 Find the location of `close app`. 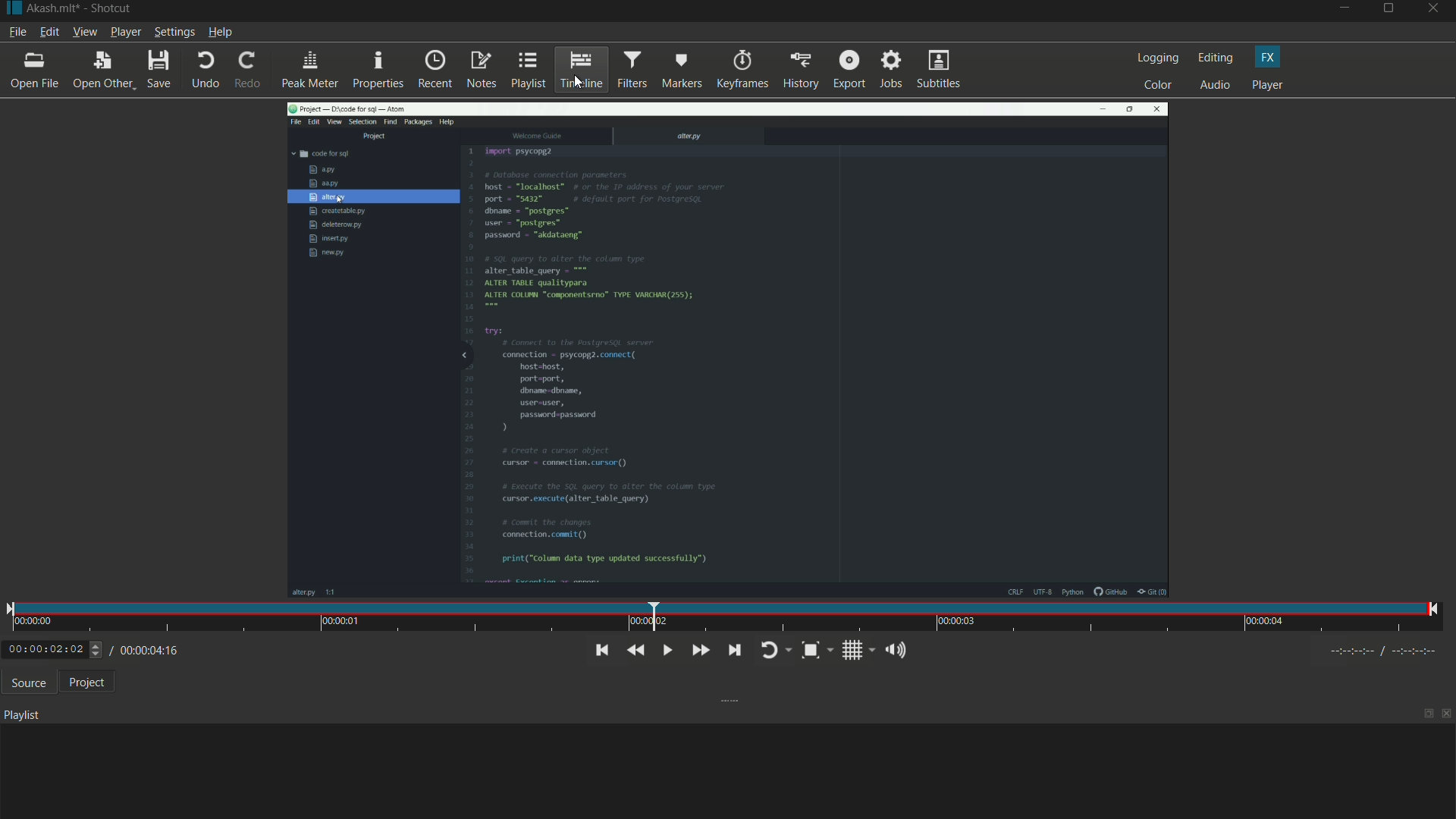

close app is located at coordinates (1436, 11).